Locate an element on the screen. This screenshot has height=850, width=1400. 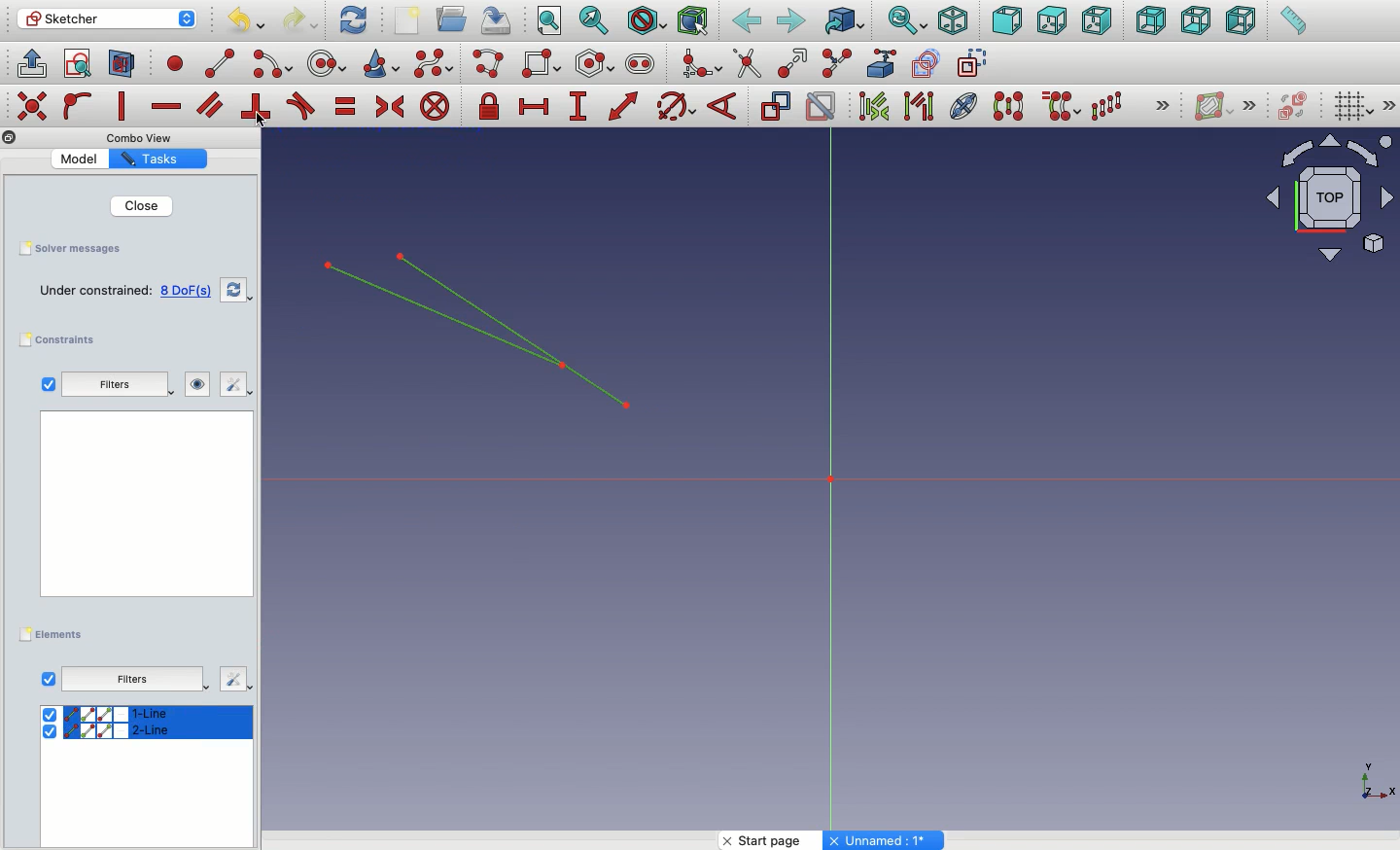
circle is located at coordinates (328, 63).